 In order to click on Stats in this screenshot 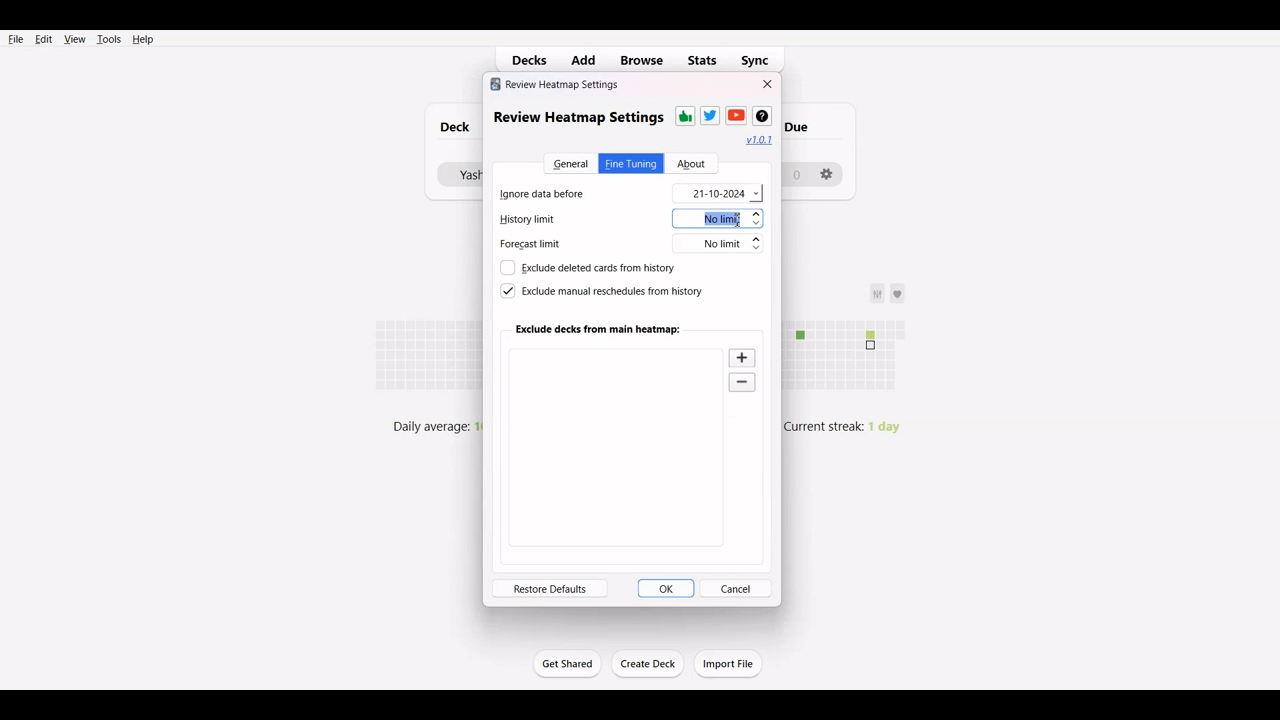, I will do `click(703, 60)`.